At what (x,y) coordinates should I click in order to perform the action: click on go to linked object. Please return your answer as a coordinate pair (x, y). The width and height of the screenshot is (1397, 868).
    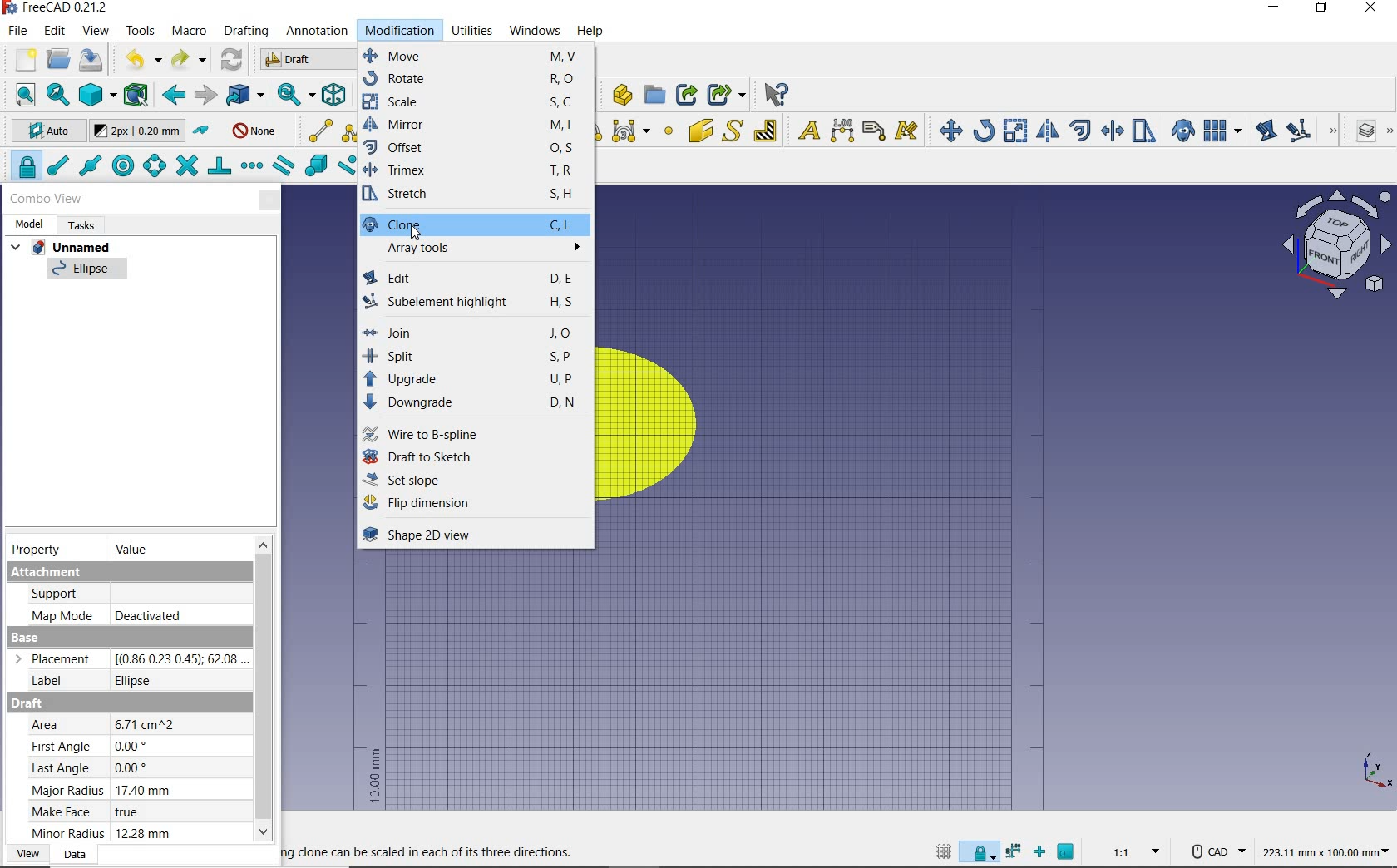
    Looking at the image, I should click on (244, 96).